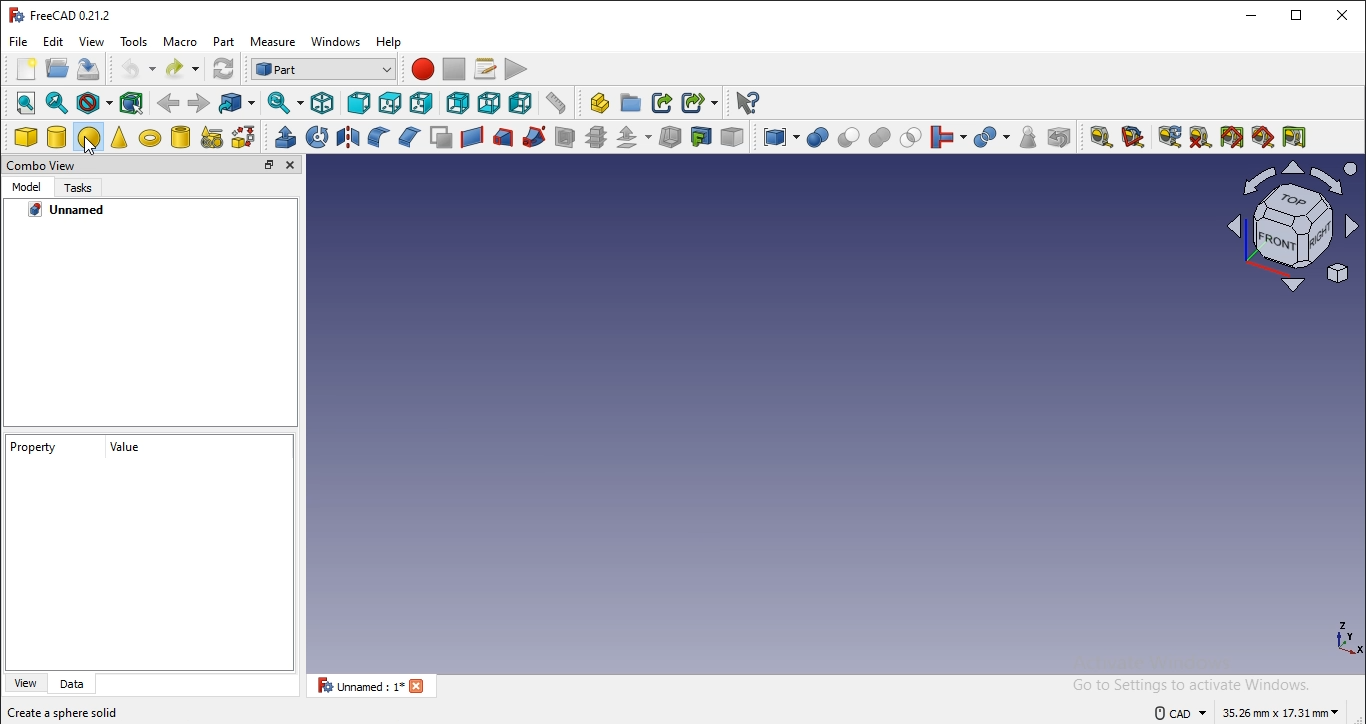  Describe the element at coordinates (631, 102) in the screenshot. I see `create folder` at that location.